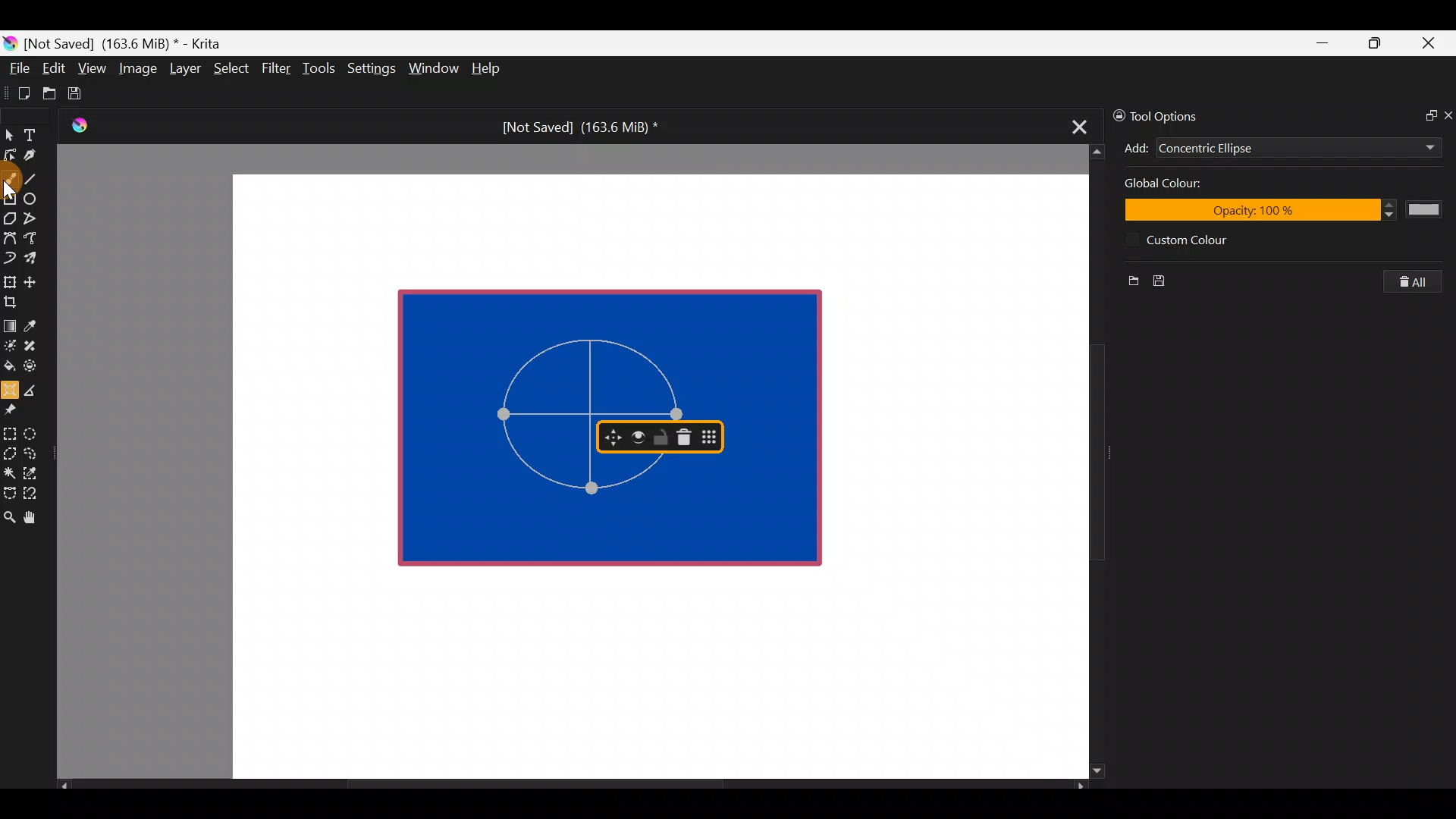  What do you see at coordinates (9, 240) in the screenshot?
I see `Bezier curve tool` at bounding box center [9, 240].